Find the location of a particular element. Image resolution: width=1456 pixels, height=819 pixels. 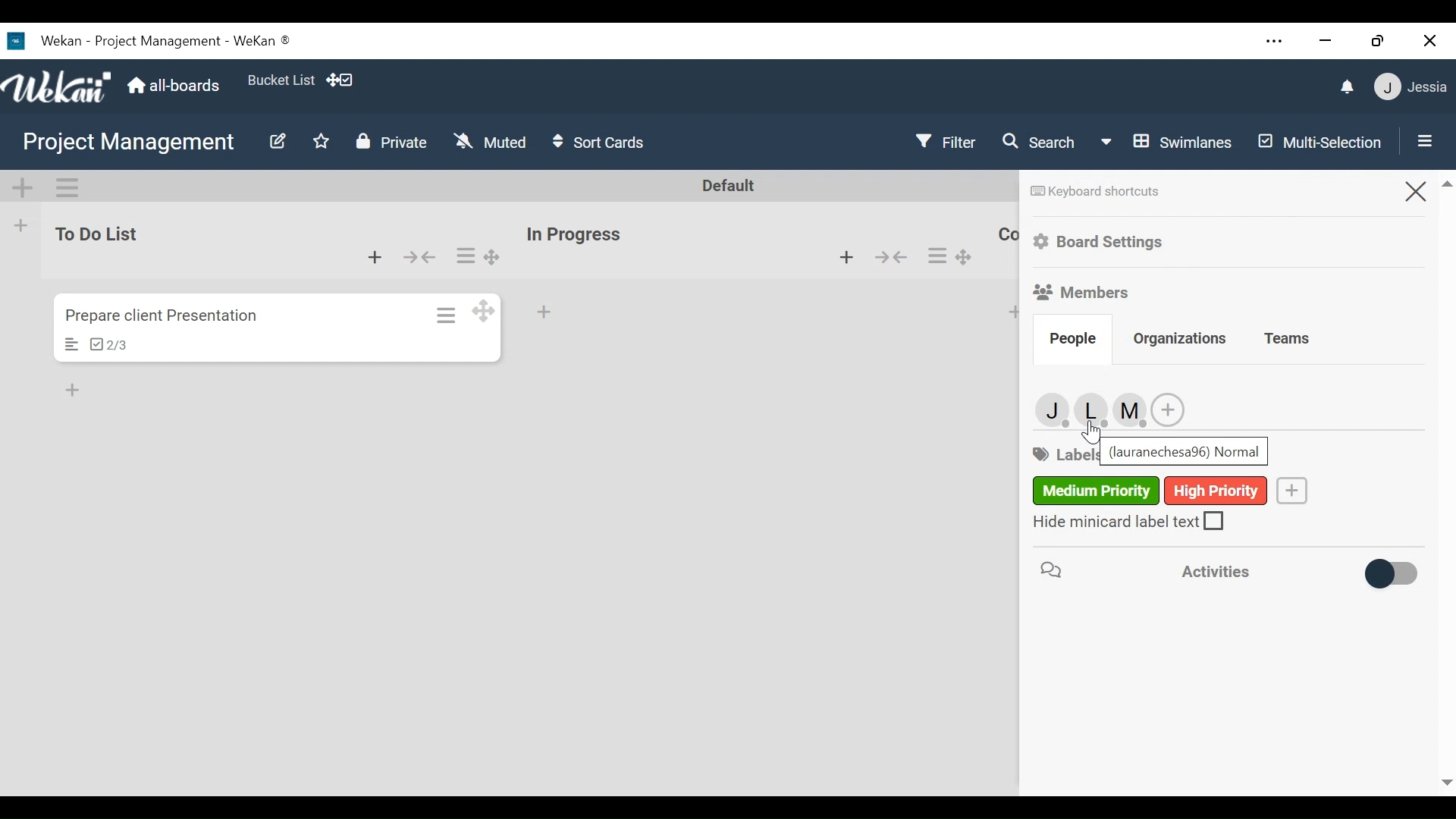

Board view is located at coordinates (1167, 142).